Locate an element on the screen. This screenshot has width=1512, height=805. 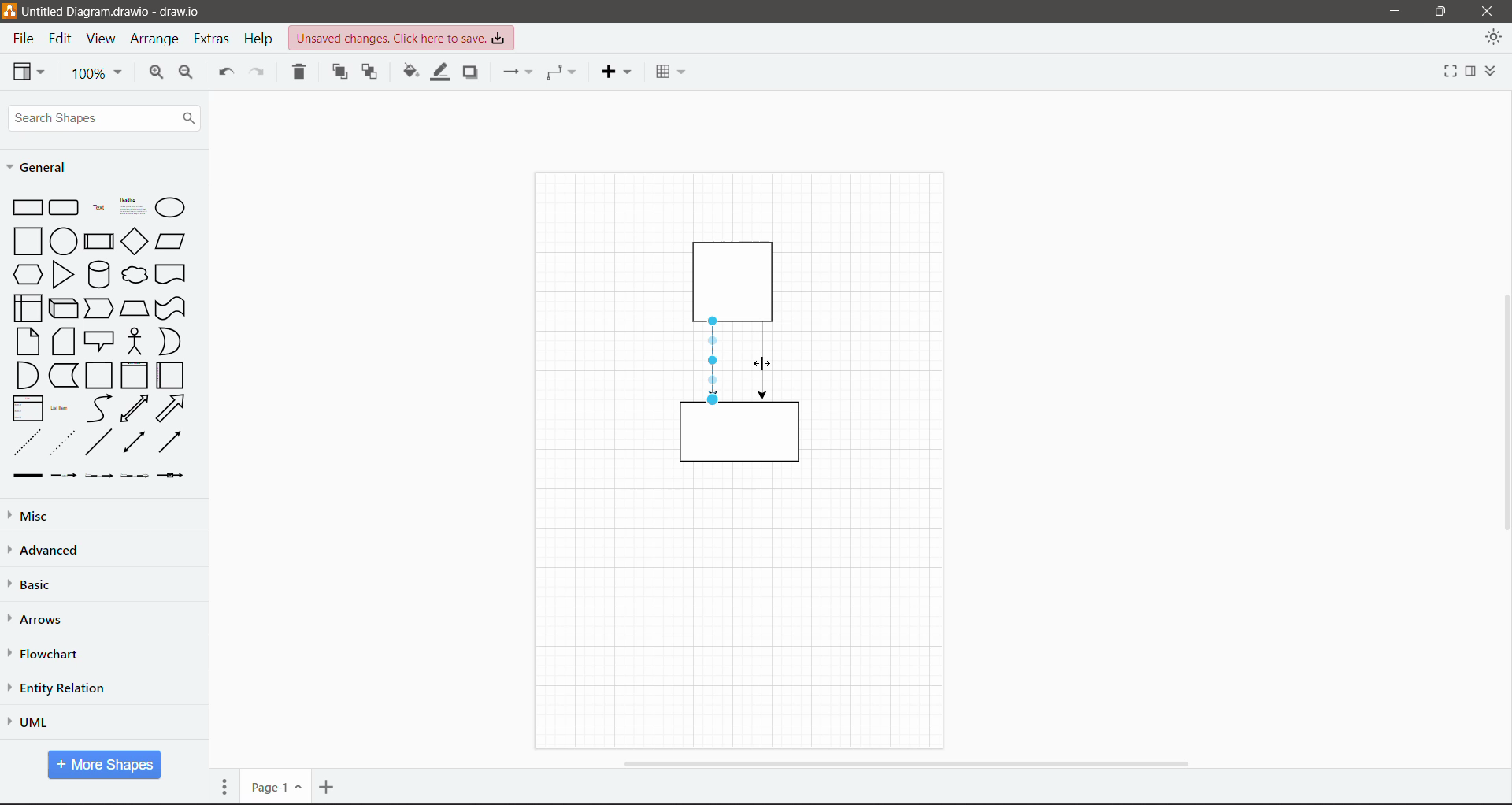
Restore Down is located at coordinates (1441, 10).